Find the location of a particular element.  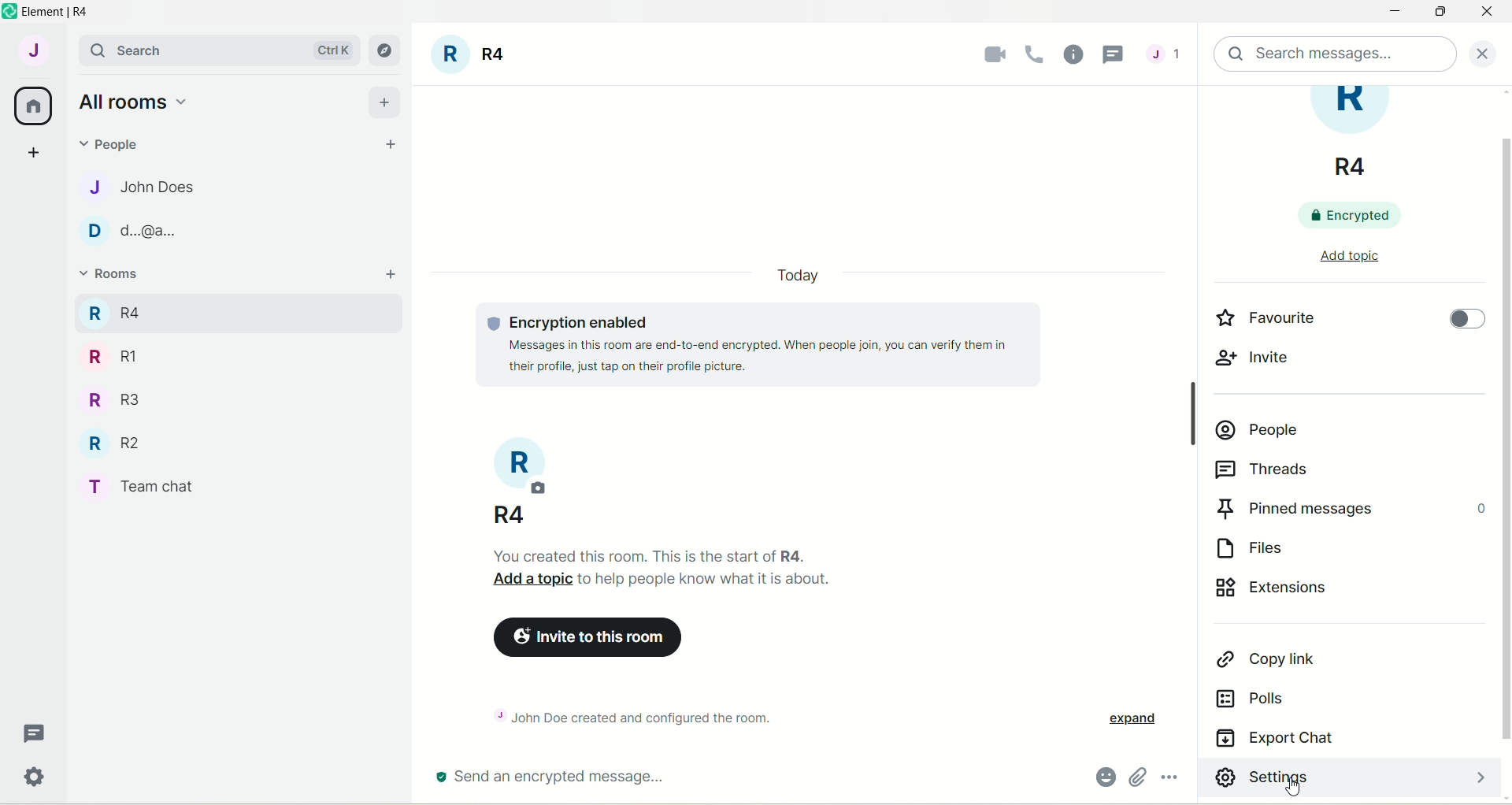

polls is located at coordinates (1259, 699).